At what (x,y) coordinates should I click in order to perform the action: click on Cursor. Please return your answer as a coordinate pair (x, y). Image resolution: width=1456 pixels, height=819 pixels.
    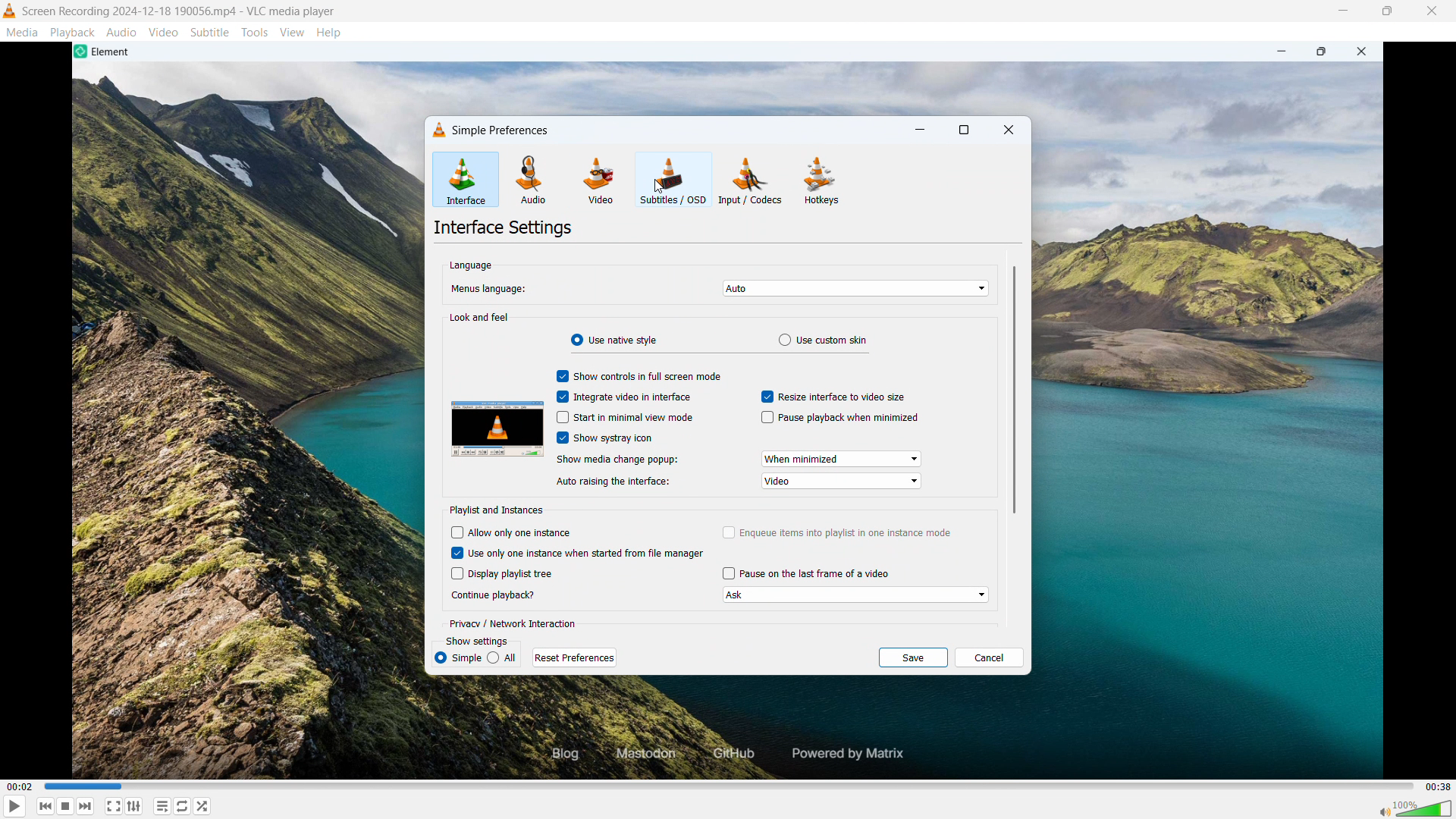
    Looking at the image, I should click on (314, 248).